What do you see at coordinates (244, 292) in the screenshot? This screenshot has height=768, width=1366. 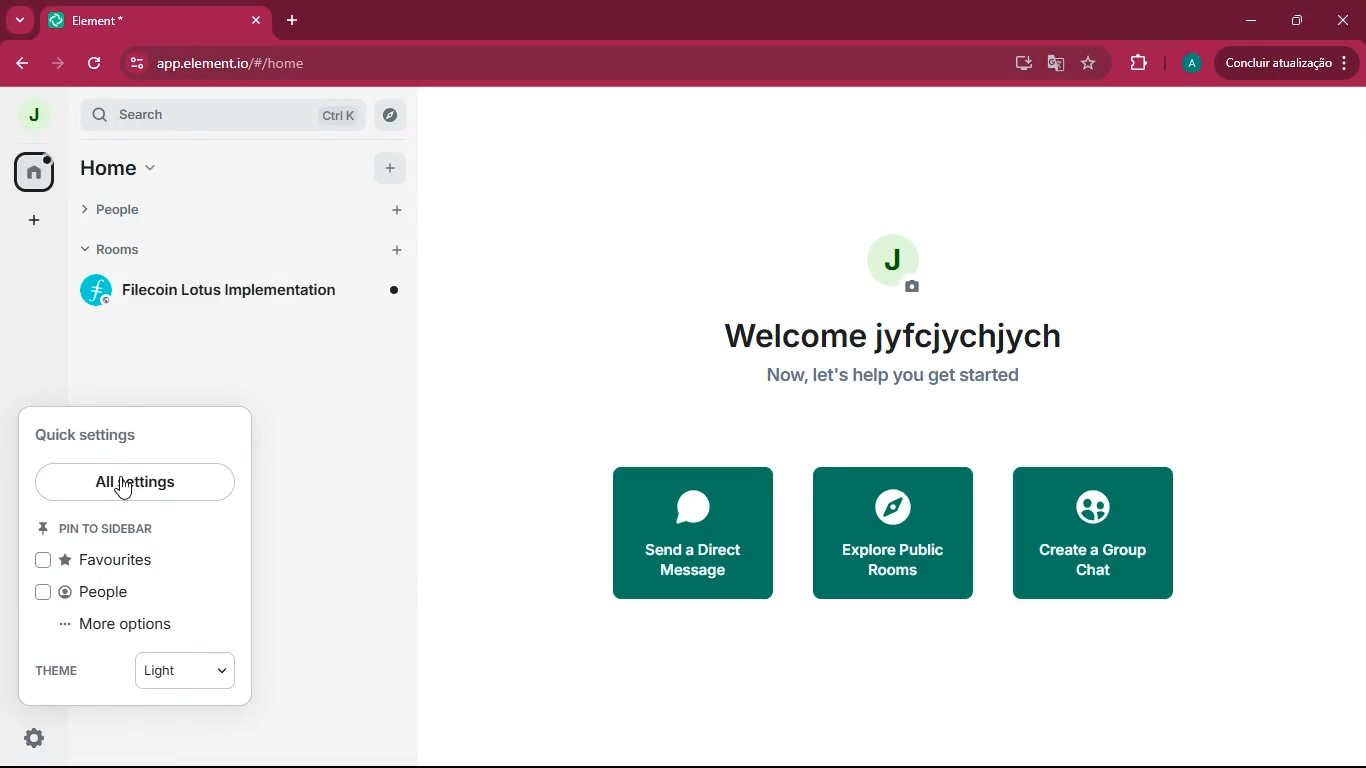 I see `room` at bounding box center [244, 292].